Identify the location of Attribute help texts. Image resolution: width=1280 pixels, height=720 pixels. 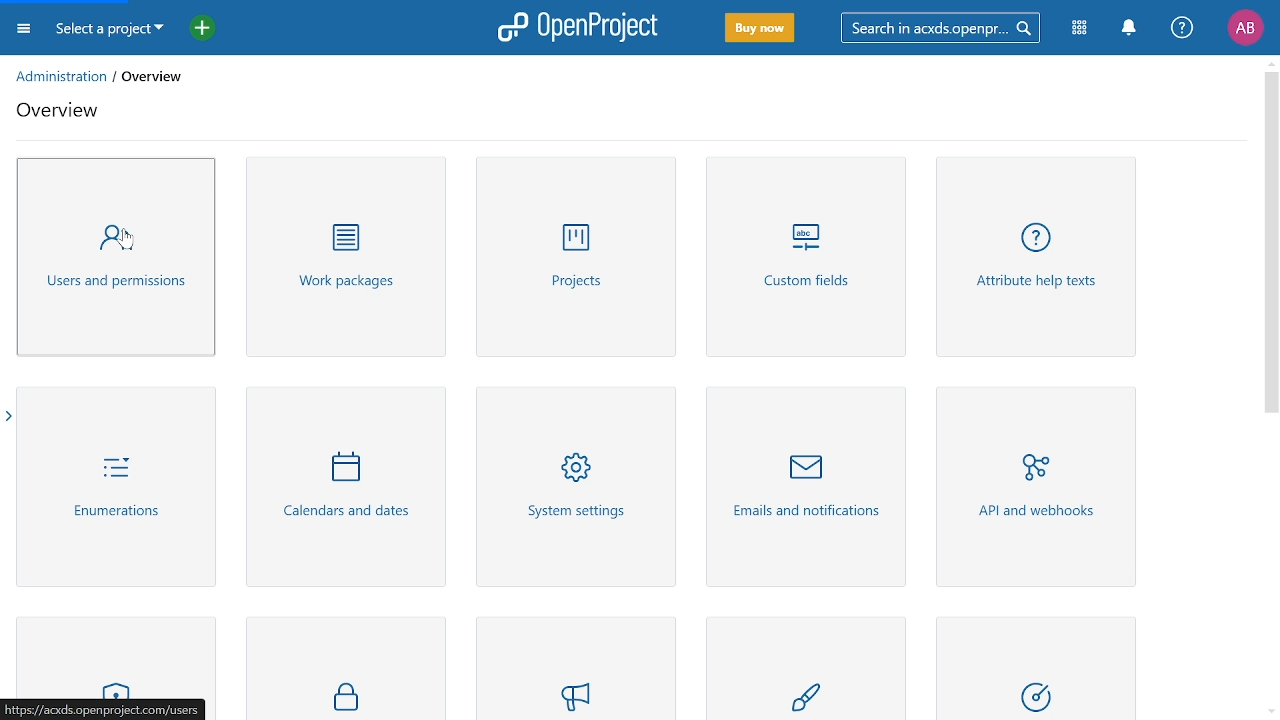
(1040, 261).